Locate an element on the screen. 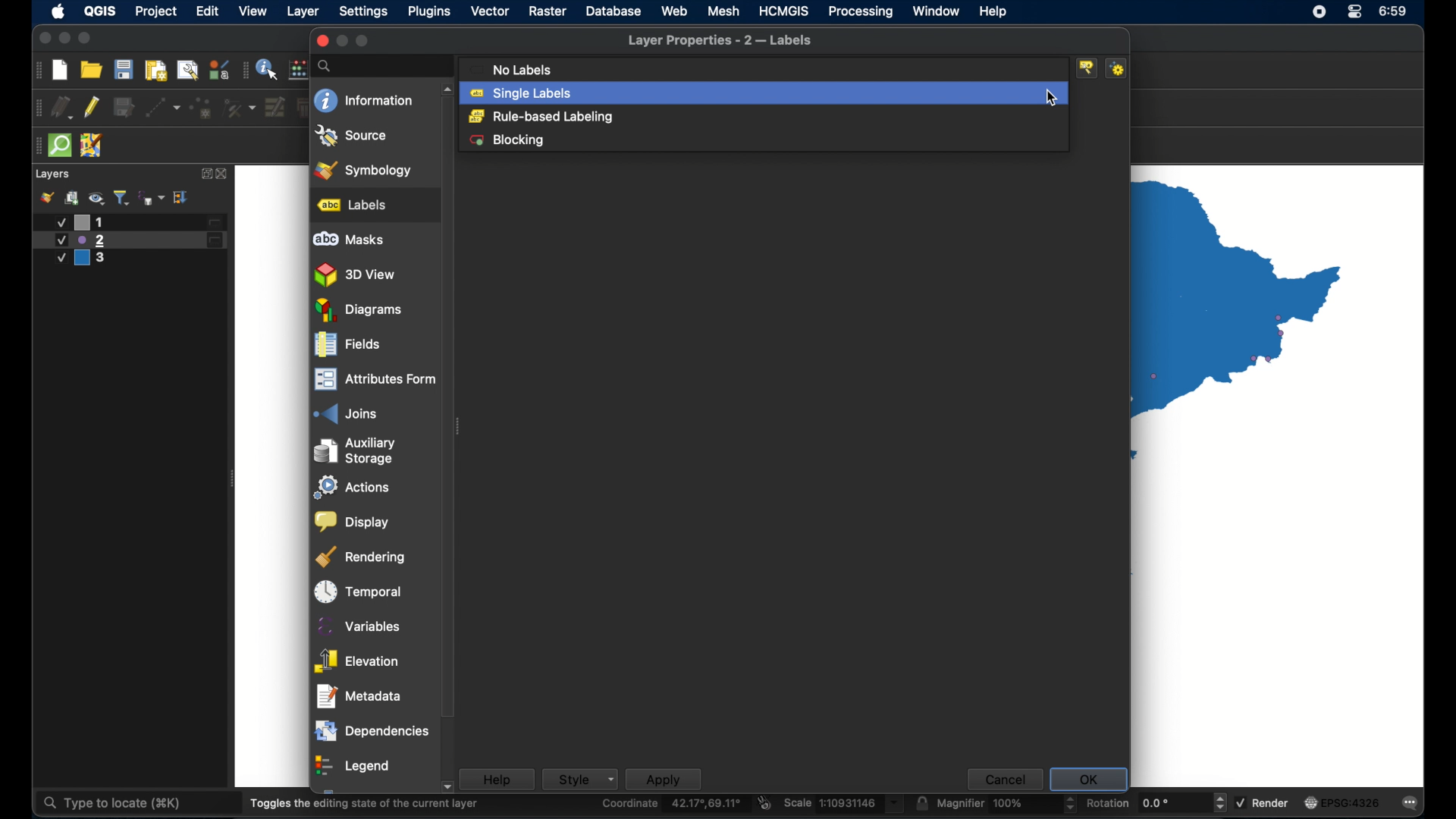  render is located at coordinates (1262, 801).